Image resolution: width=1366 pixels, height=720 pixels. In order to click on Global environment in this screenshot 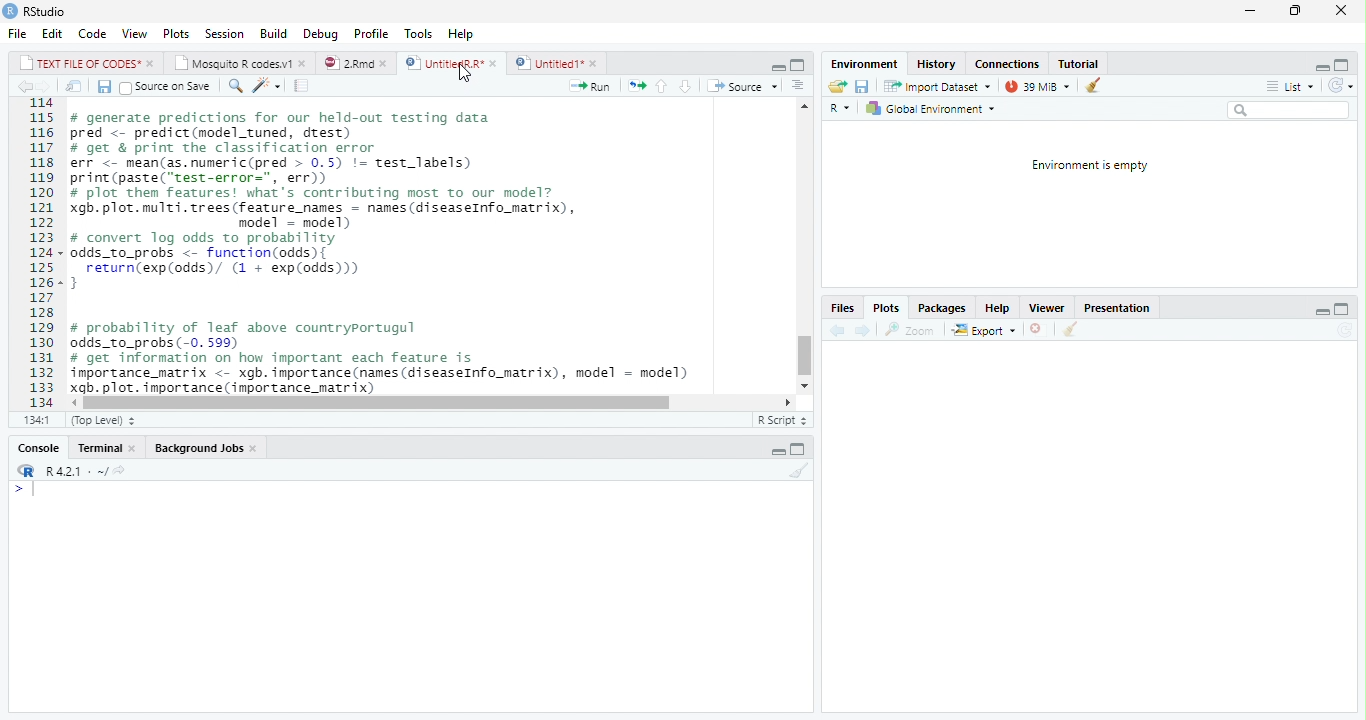, I will do `click(930, 109)`.